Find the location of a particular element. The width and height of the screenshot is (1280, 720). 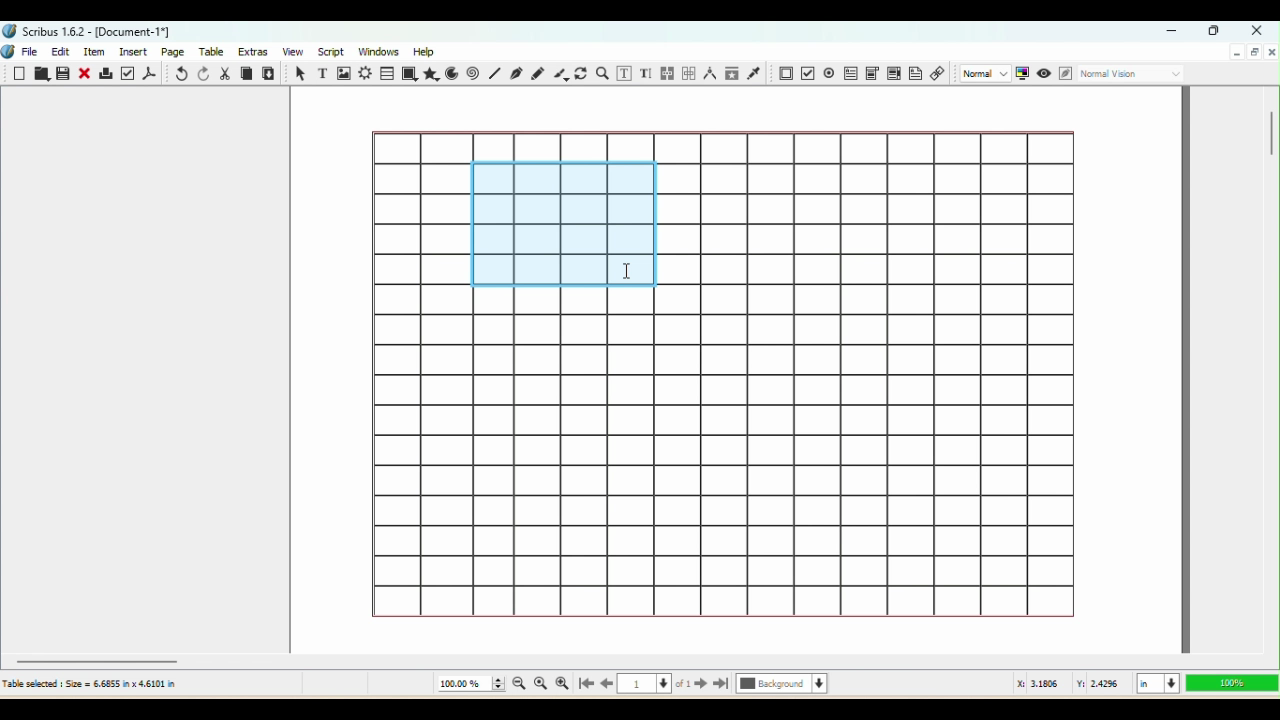

Select the current page is located at coordinates (655, 686).